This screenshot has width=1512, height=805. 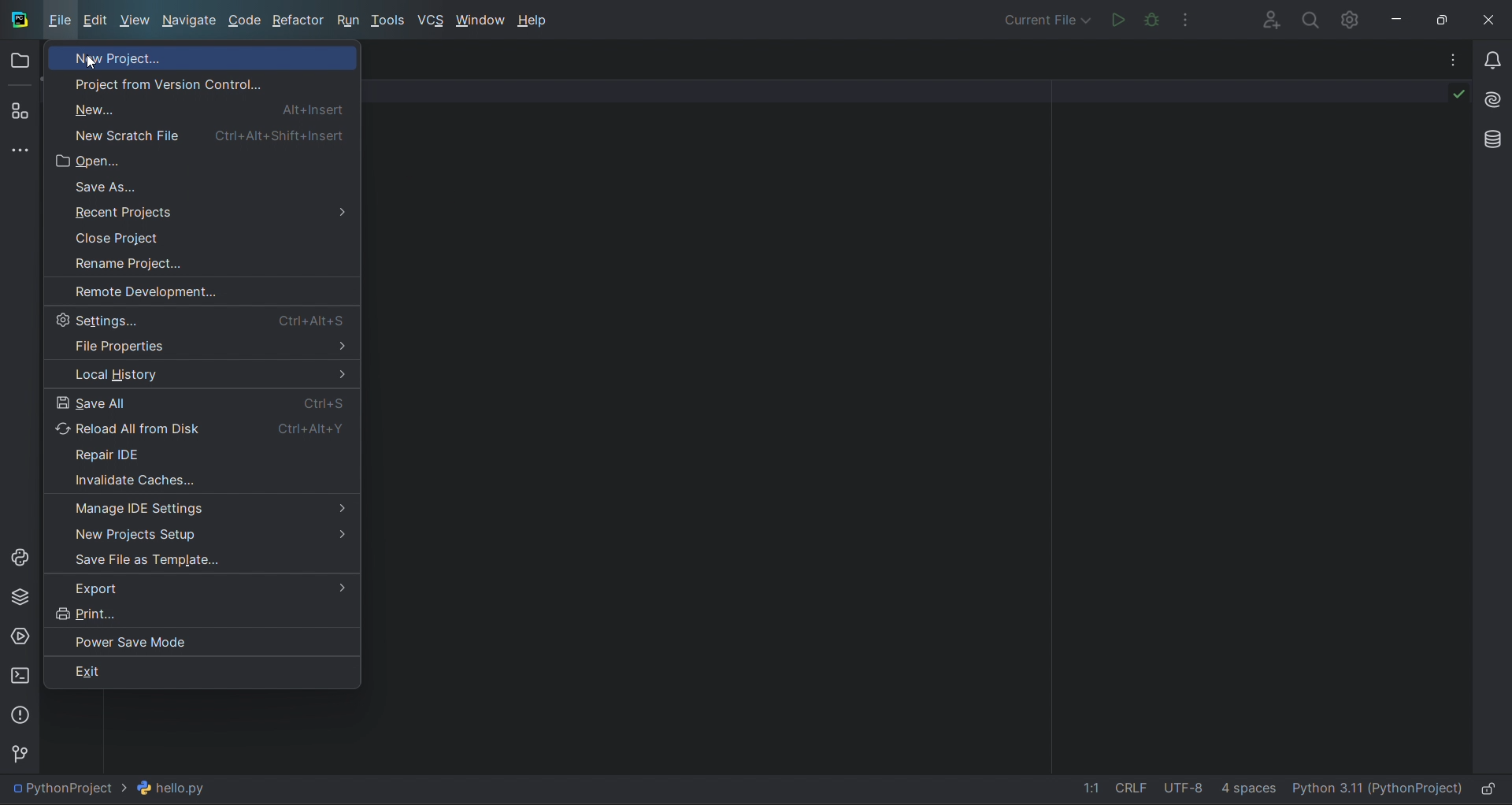 I want to click on close, so click(x=198, y=236).